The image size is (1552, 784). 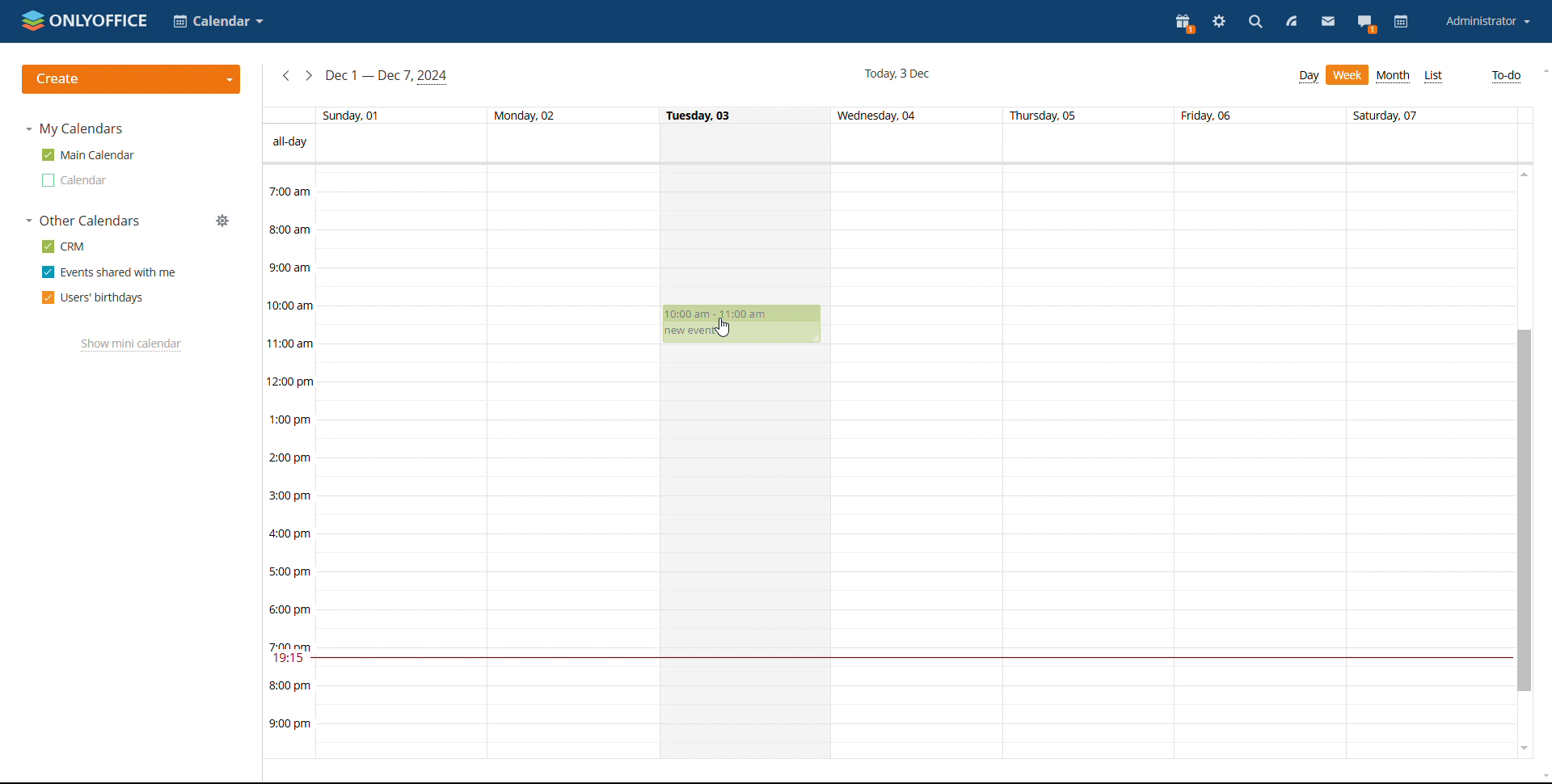 What do you see at coordinates (289, 570) in the screenshot?
I see `5:00 pm` at bounding box center [289, 570].